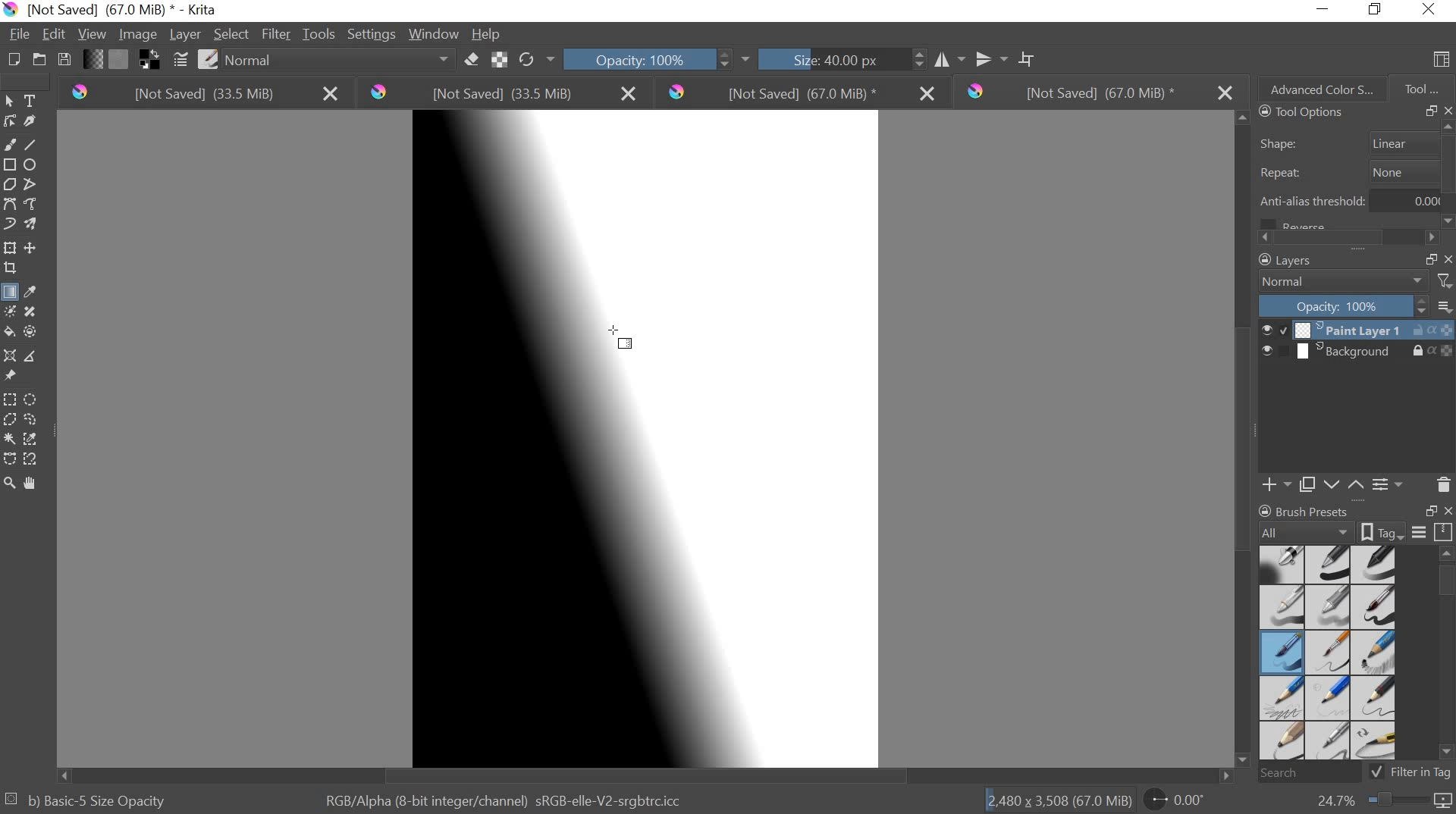  Describe the element at coordinates (487, 35) in the screenshot. I see `HELP` at that location.